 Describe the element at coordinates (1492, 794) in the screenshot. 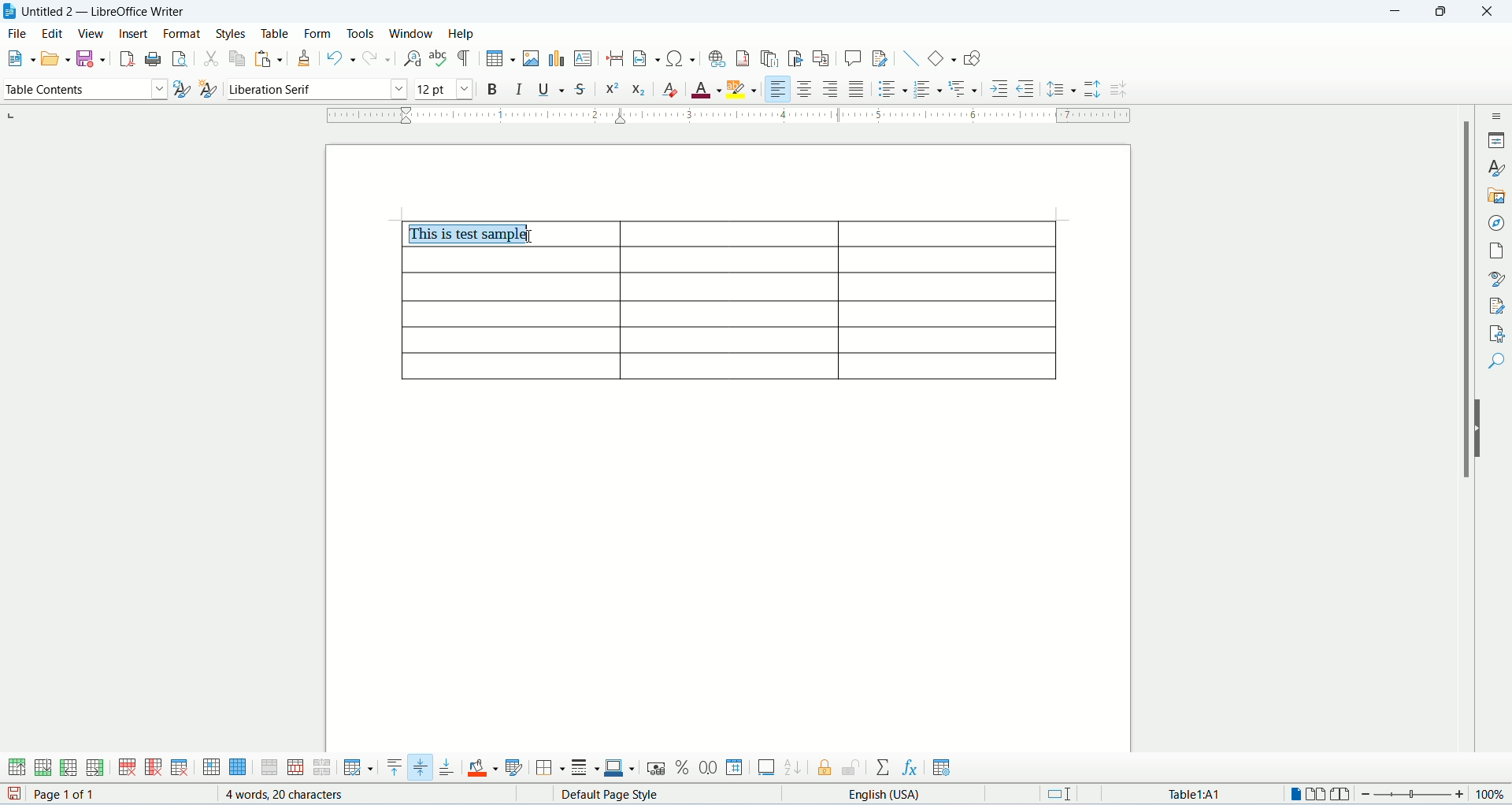

I see `zoom percemt` at that location.